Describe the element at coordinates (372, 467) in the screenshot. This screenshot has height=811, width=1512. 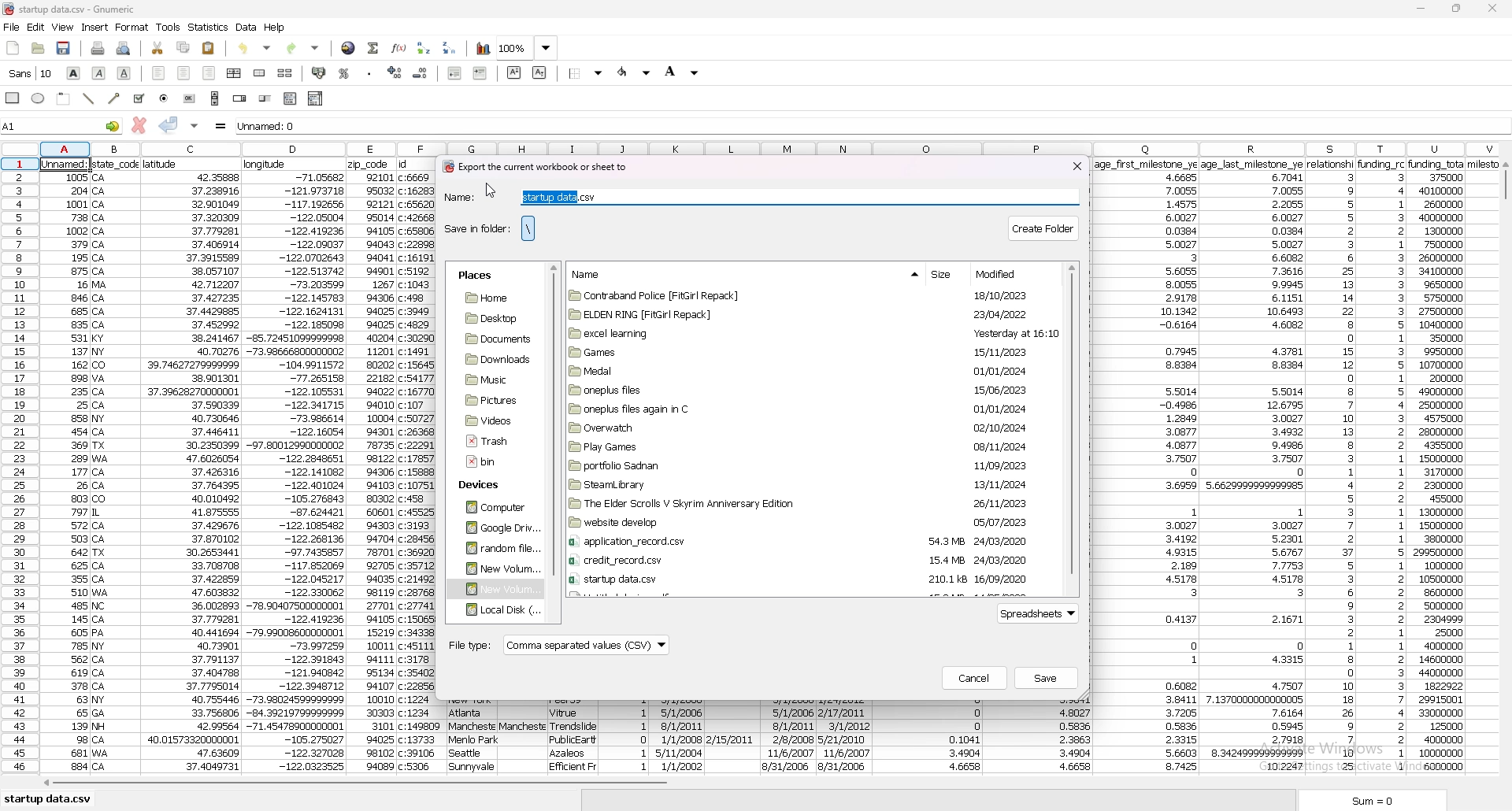
I see `data` at that location.